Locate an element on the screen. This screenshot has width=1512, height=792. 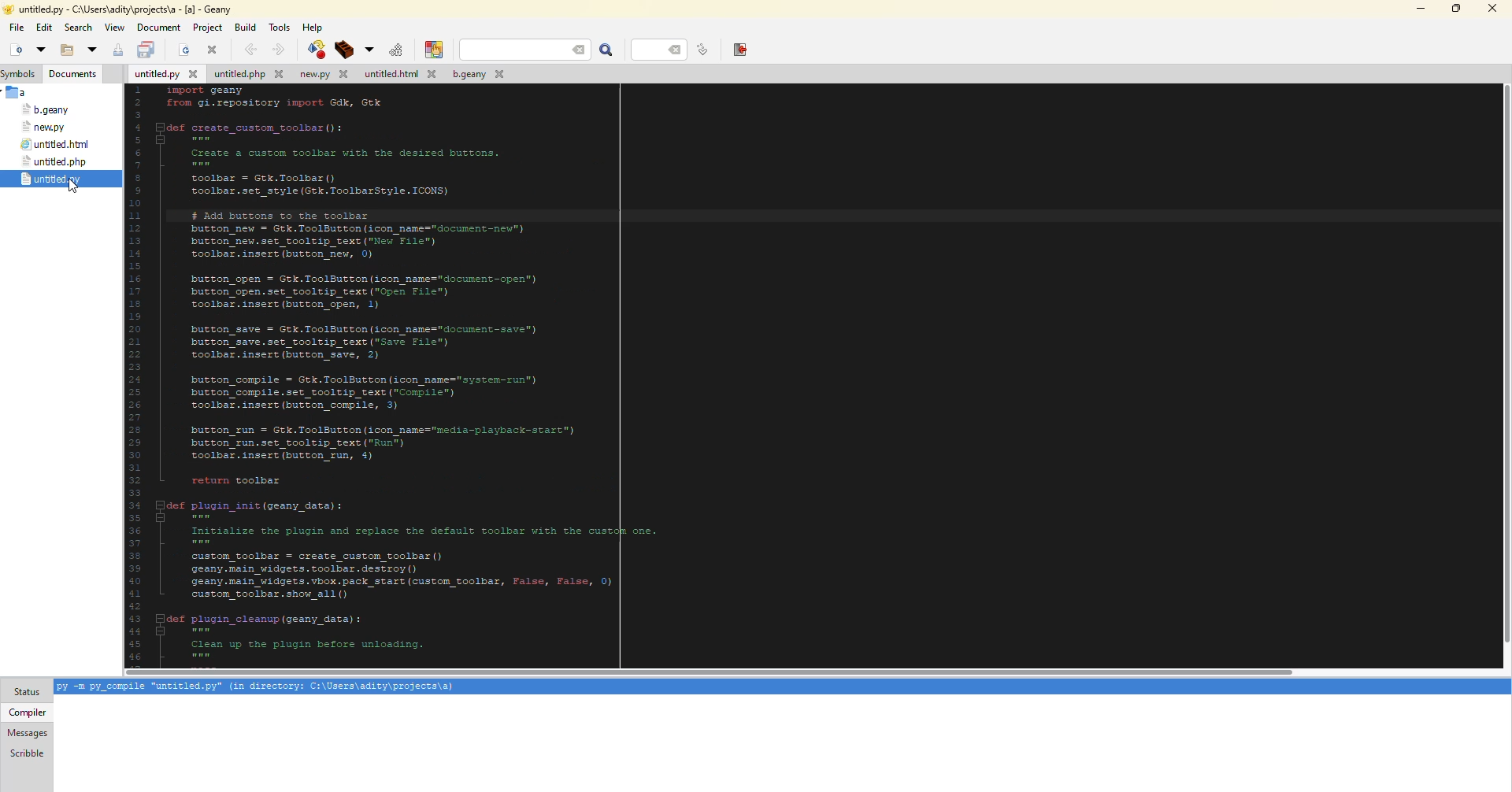
untitled.html is located at coordinates (58, 143).